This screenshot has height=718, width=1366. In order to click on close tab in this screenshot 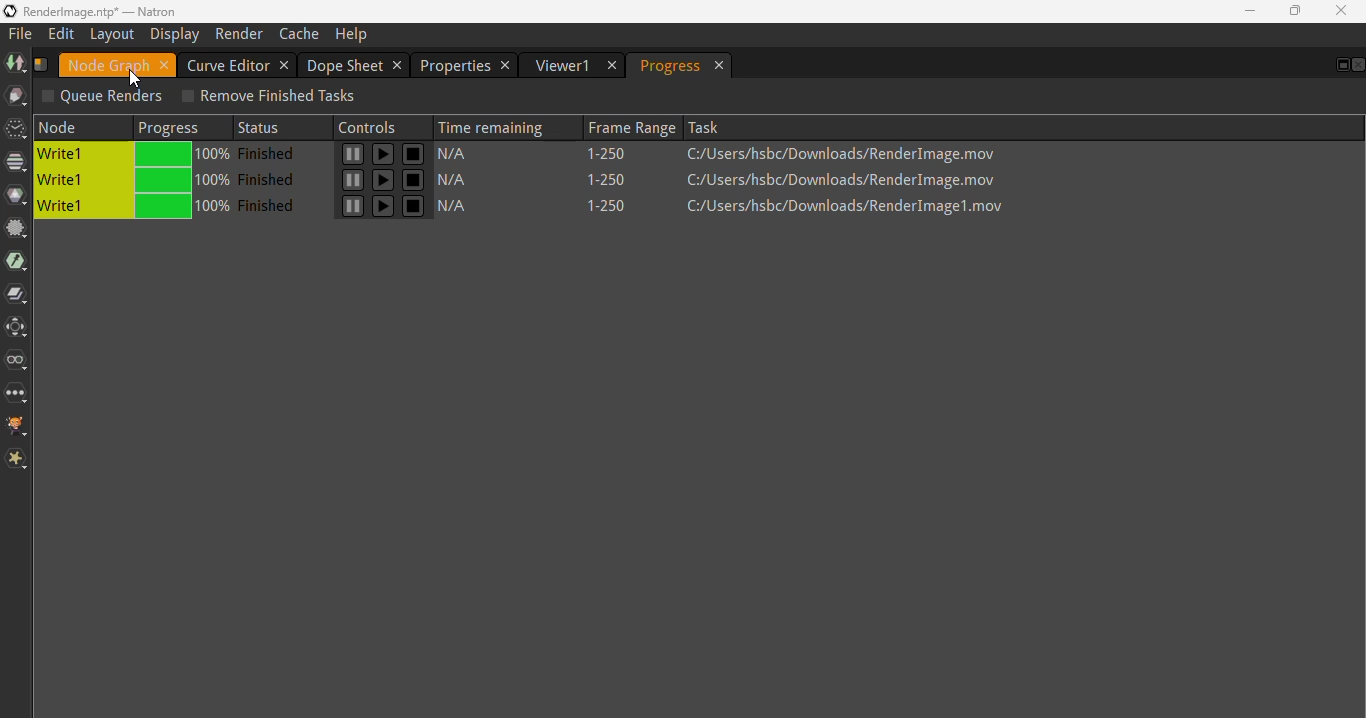, I will do `click(613, 66)`.